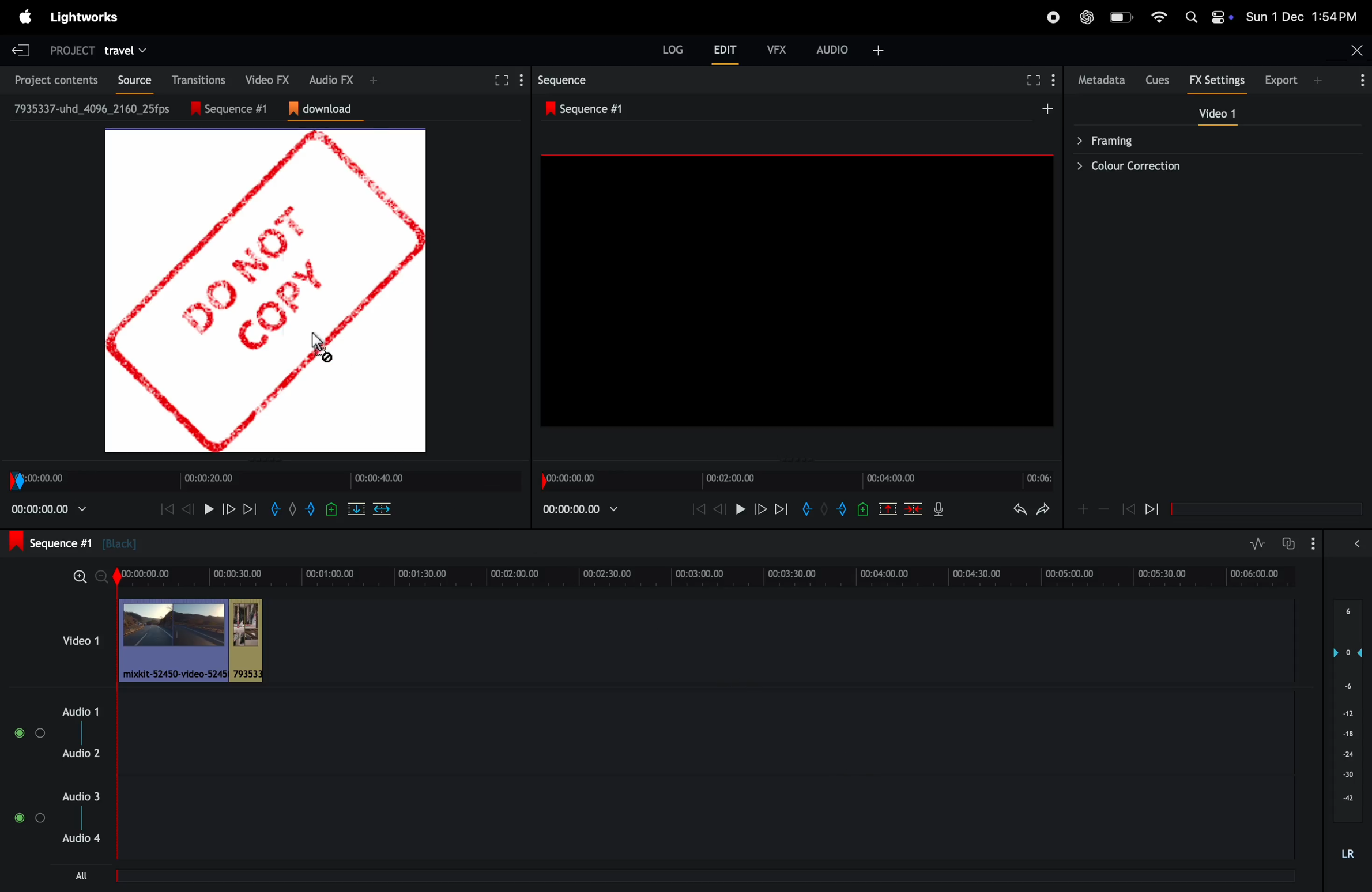 This screenshot has height=892, width=1372. I want to click on travel, so click(125, 52).